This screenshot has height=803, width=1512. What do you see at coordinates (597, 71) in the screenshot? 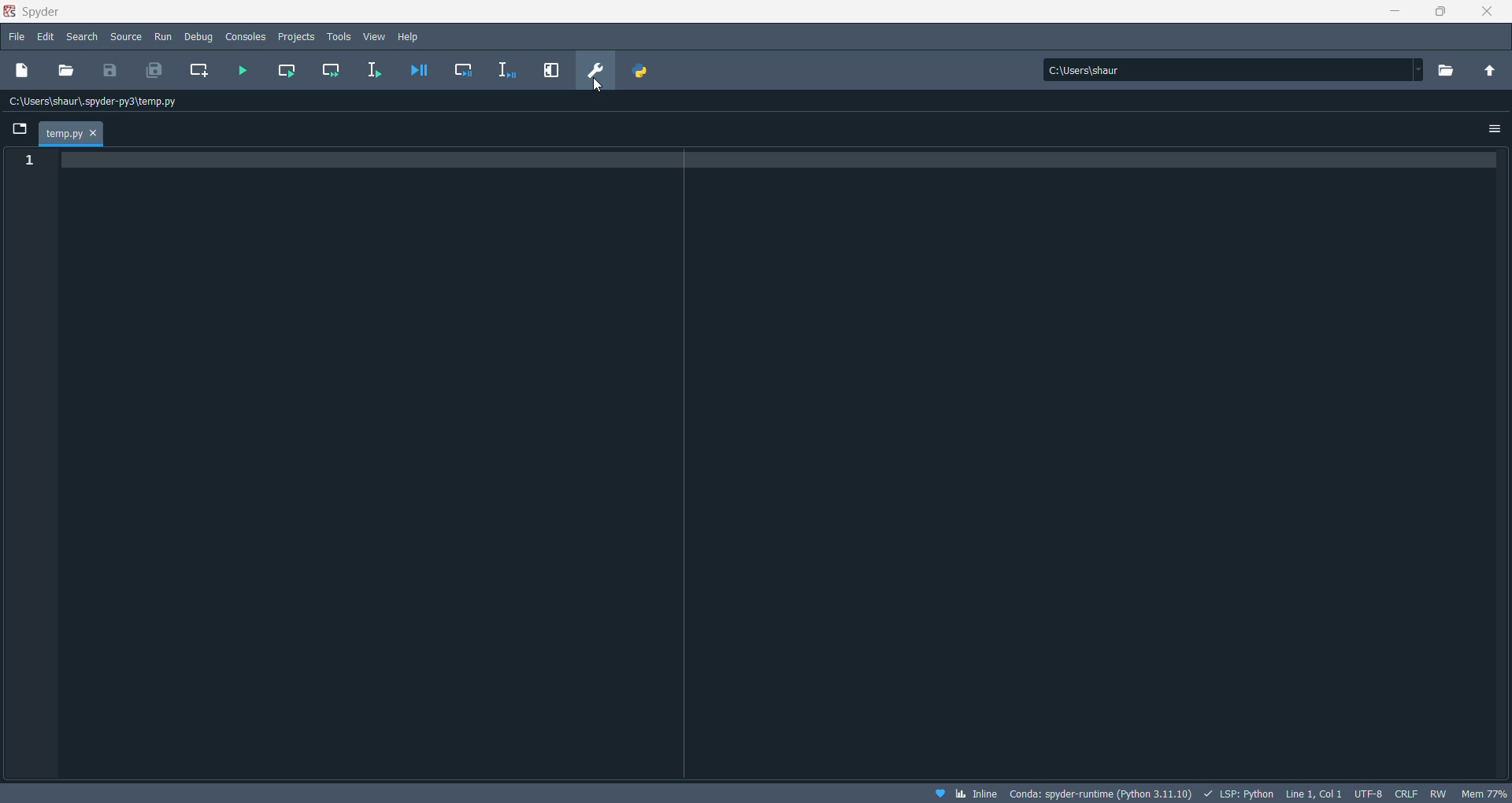
I see `PREFERENCES` at bounding box center [597, 71].